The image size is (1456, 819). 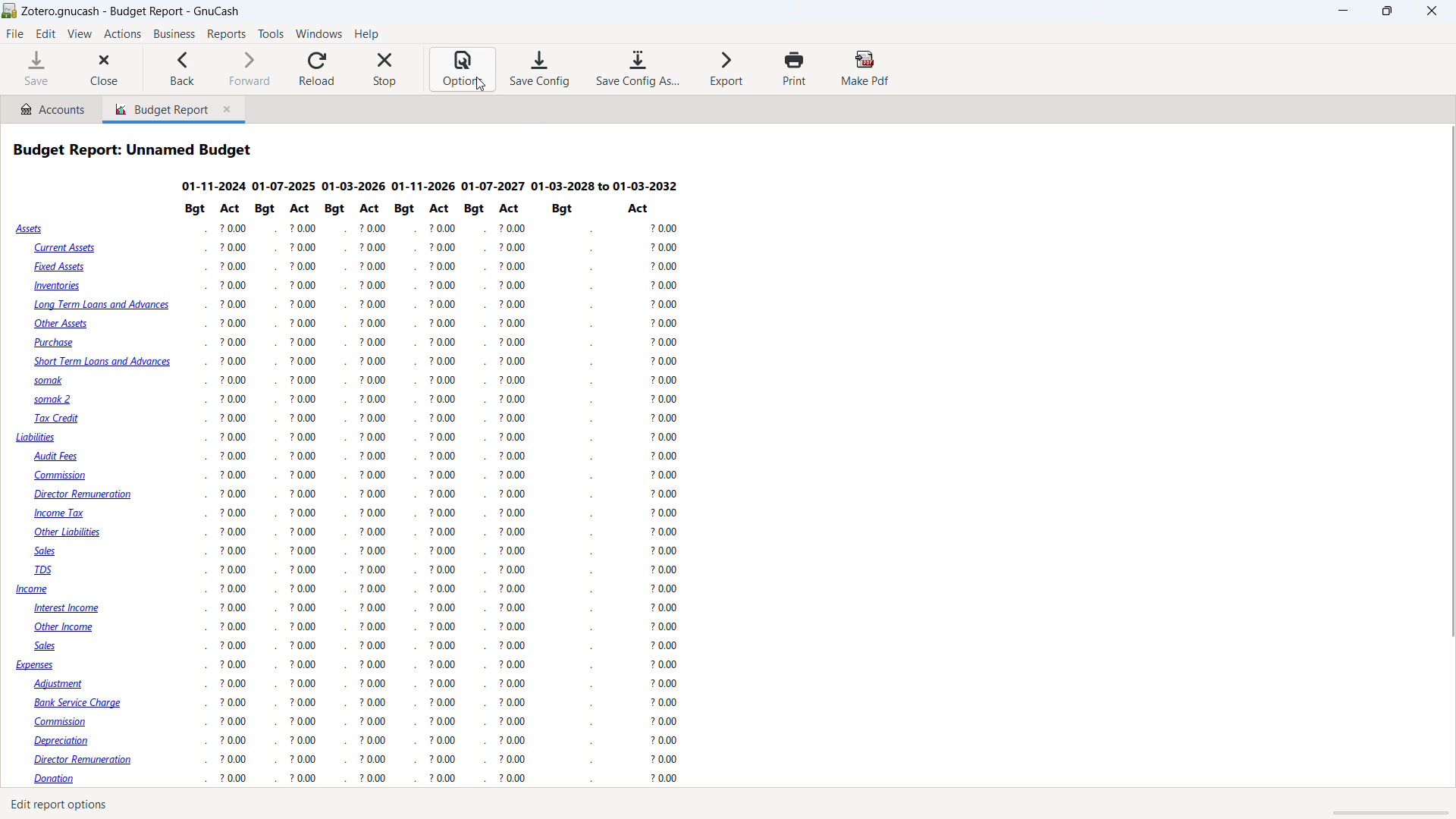 What do you see at coordinates (795, 68) in the screenshot?
I see `print` at bounding box center [795, 68].